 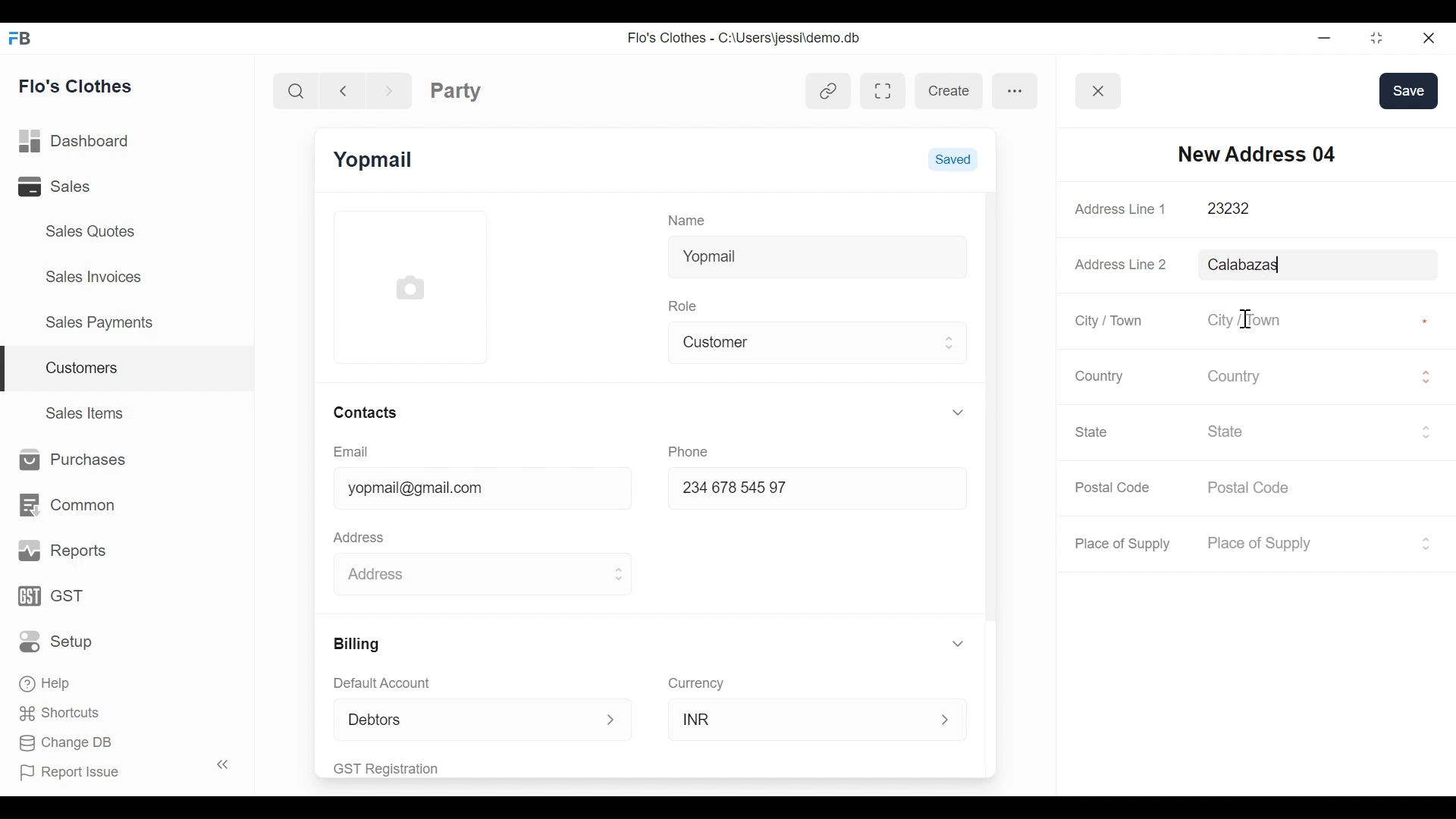 I want to click on Calabazas, so click(x=1318, y=265).